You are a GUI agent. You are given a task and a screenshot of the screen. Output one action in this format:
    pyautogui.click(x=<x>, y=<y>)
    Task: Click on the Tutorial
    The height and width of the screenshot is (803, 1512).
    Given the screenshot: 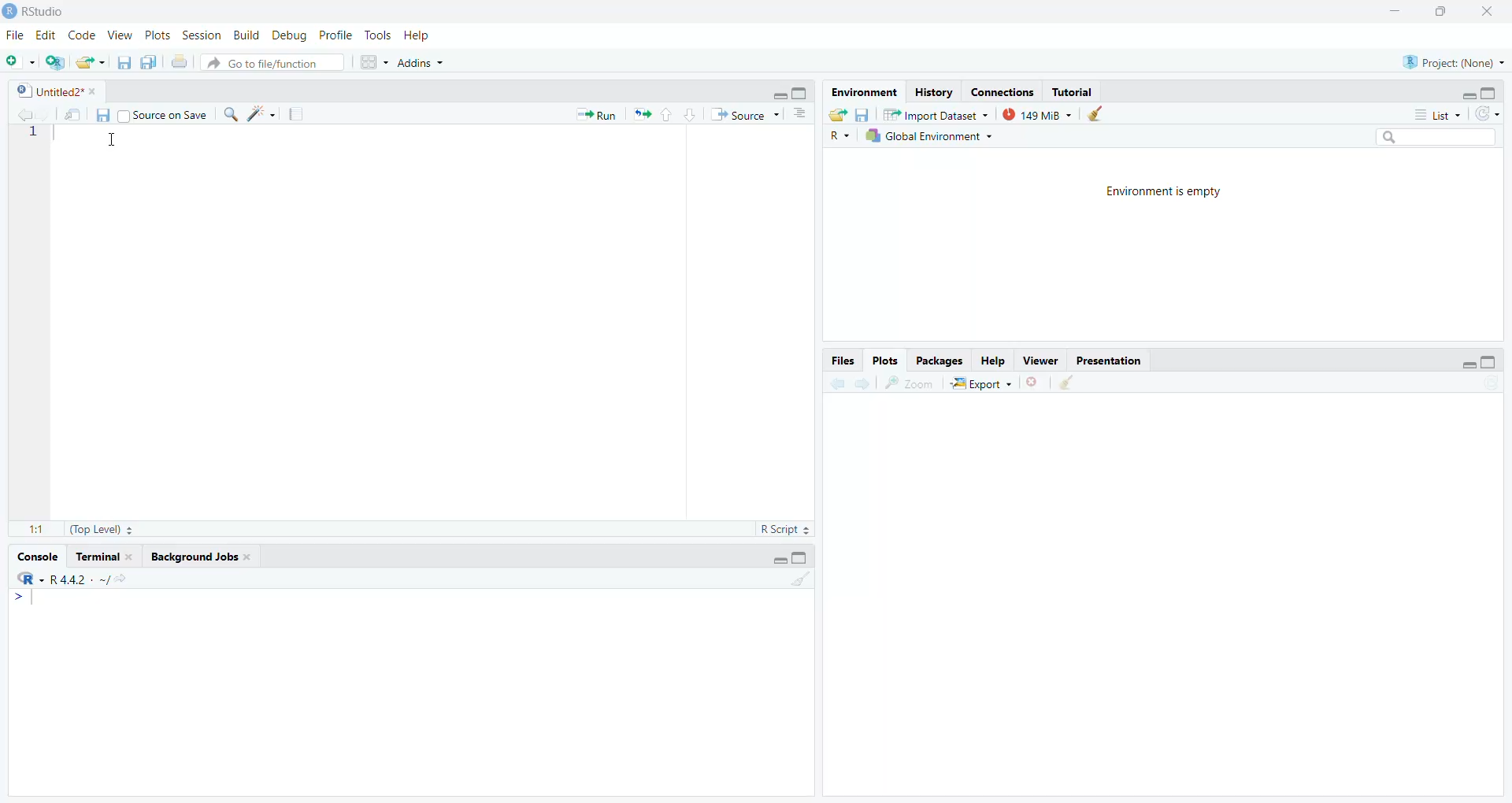 What is the action you would take?
    pyautogui.click(x=102, y=557)
    